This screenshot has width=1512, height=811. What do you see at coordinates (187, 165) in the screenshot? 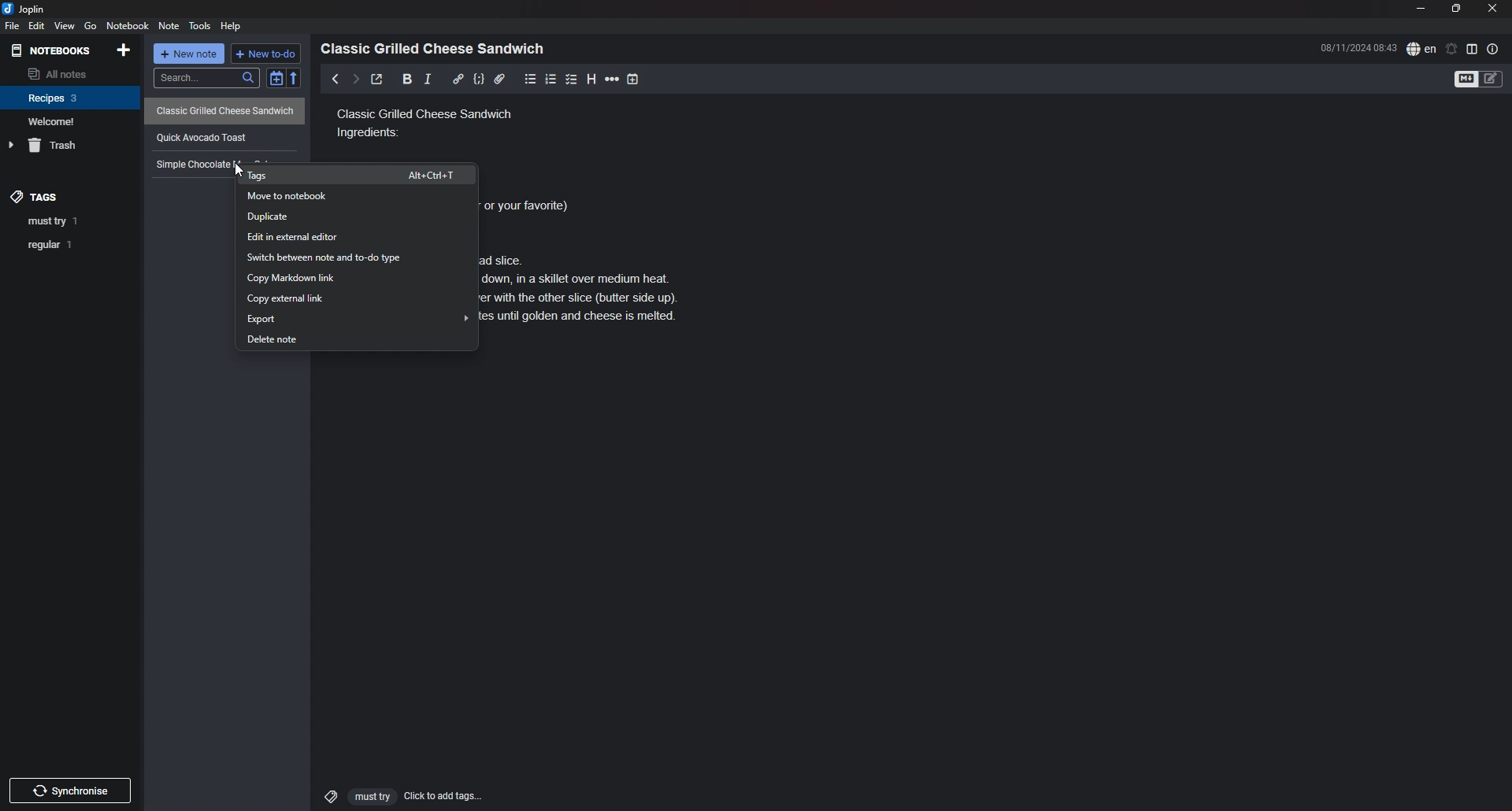
I see `Text` at bounding box center [187, 165].